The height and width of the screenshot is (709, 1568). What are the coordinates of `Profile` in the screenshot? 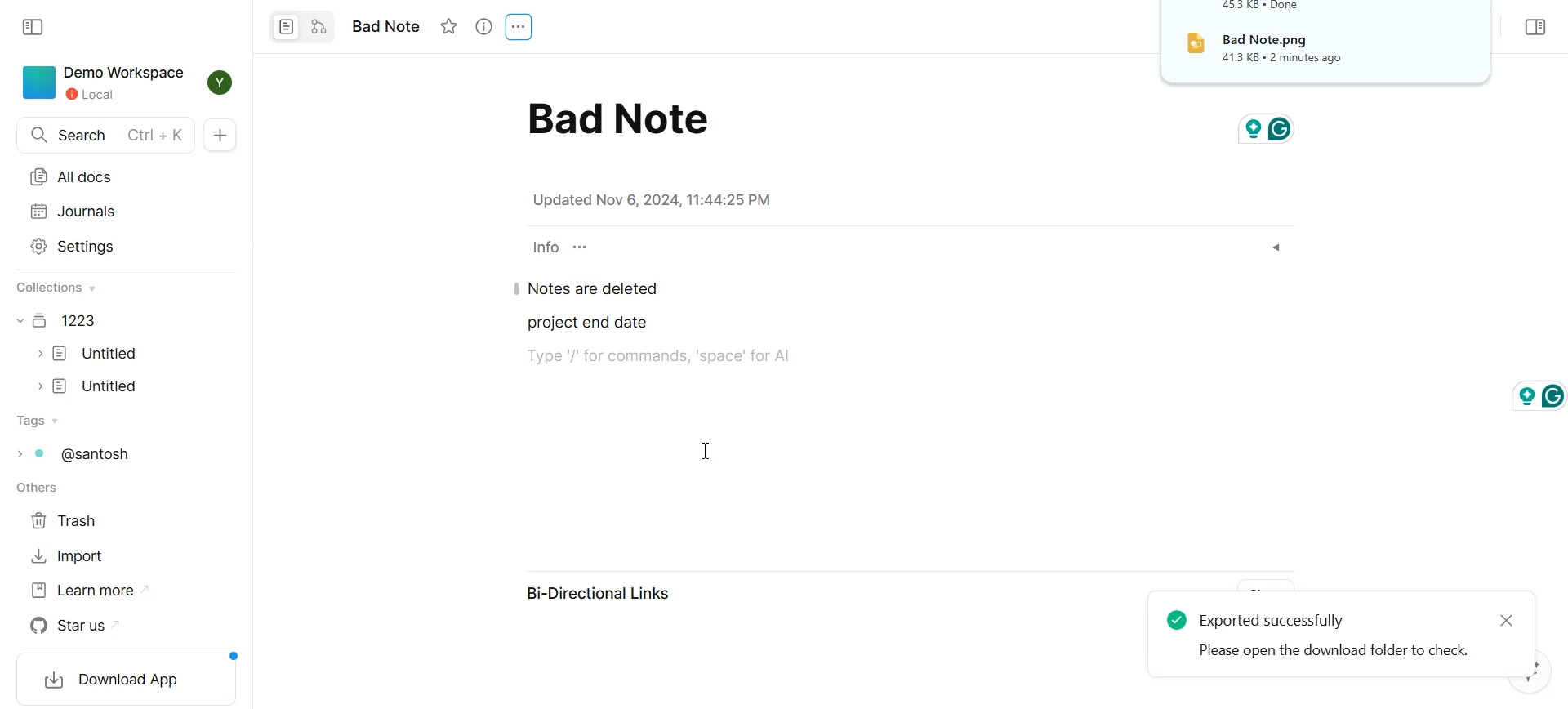 It's located at (220, 84).